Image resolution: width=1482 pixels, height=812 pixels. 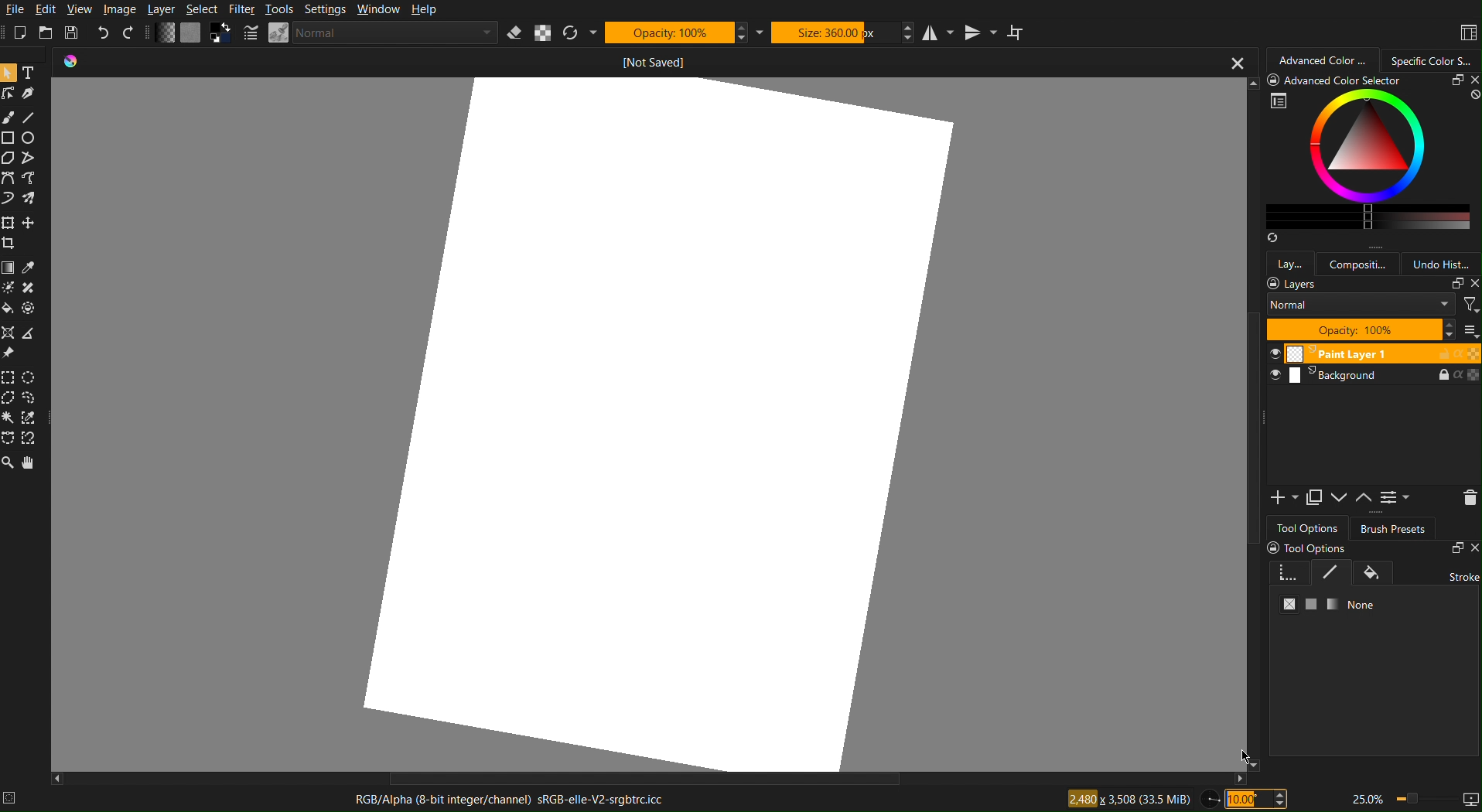 What do you see at coordinates (543, 32) in the screenshot?
I see `Alpha` at bounding box center [543, 32].